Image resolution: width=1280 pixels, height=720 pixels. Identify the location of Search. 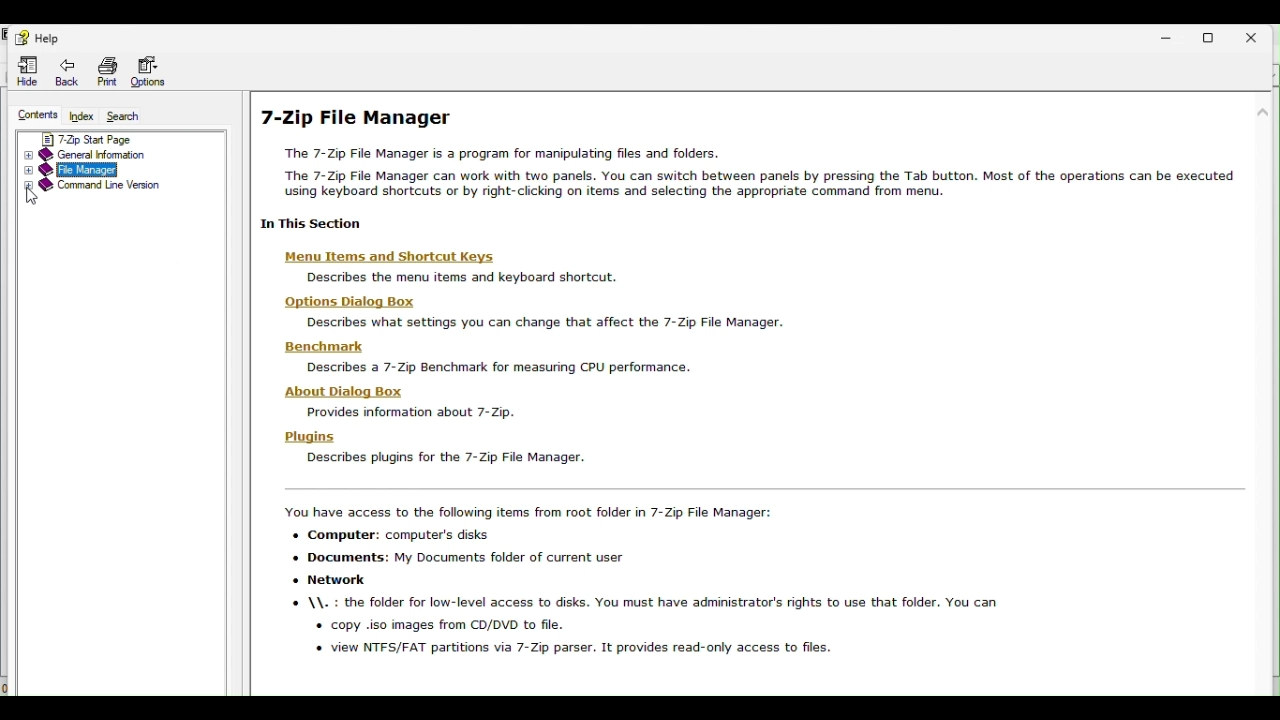
(123, 117).